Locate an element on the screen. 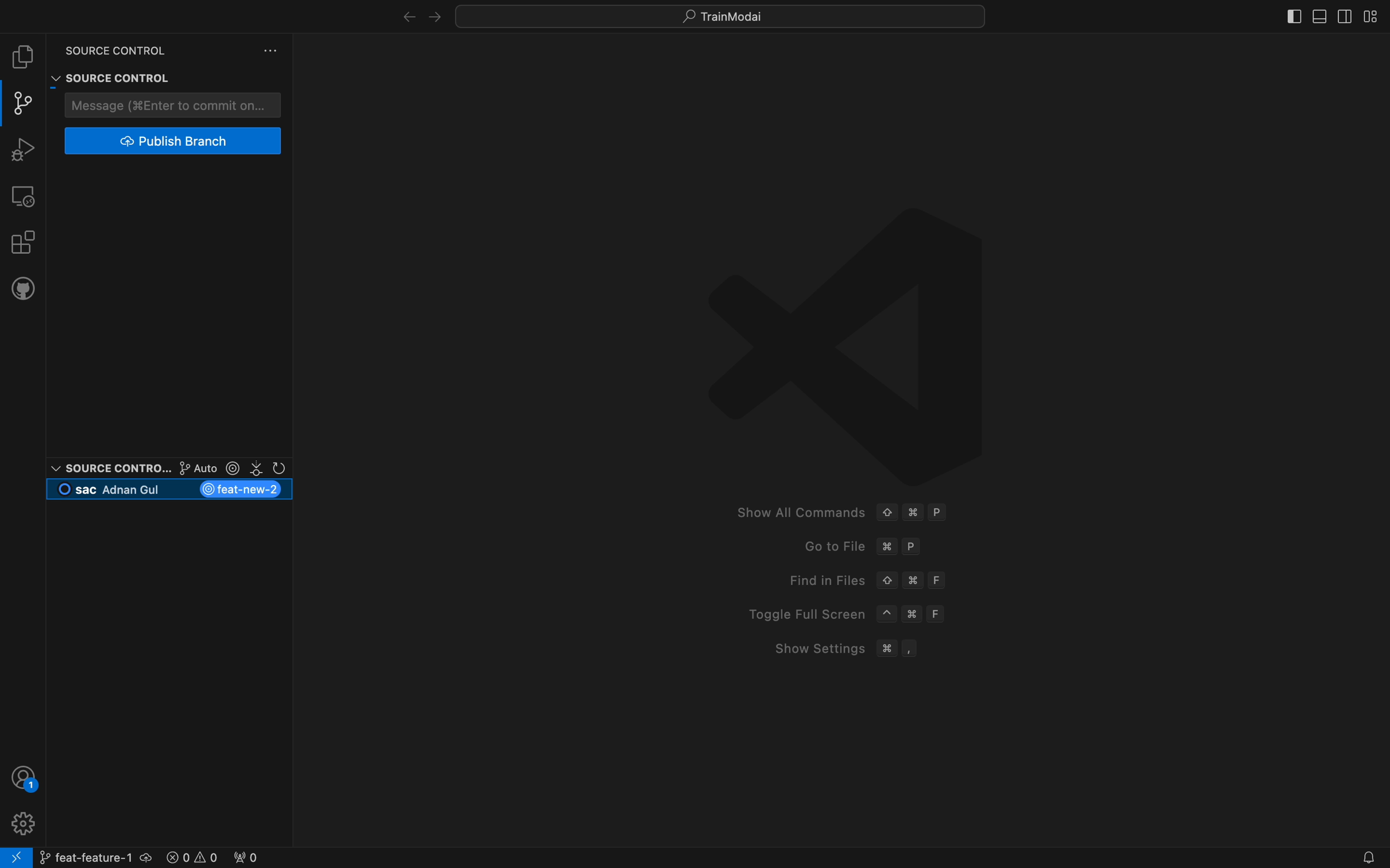 This screenshot has height=868, width=1390. command is located at coordinates (887, 547).